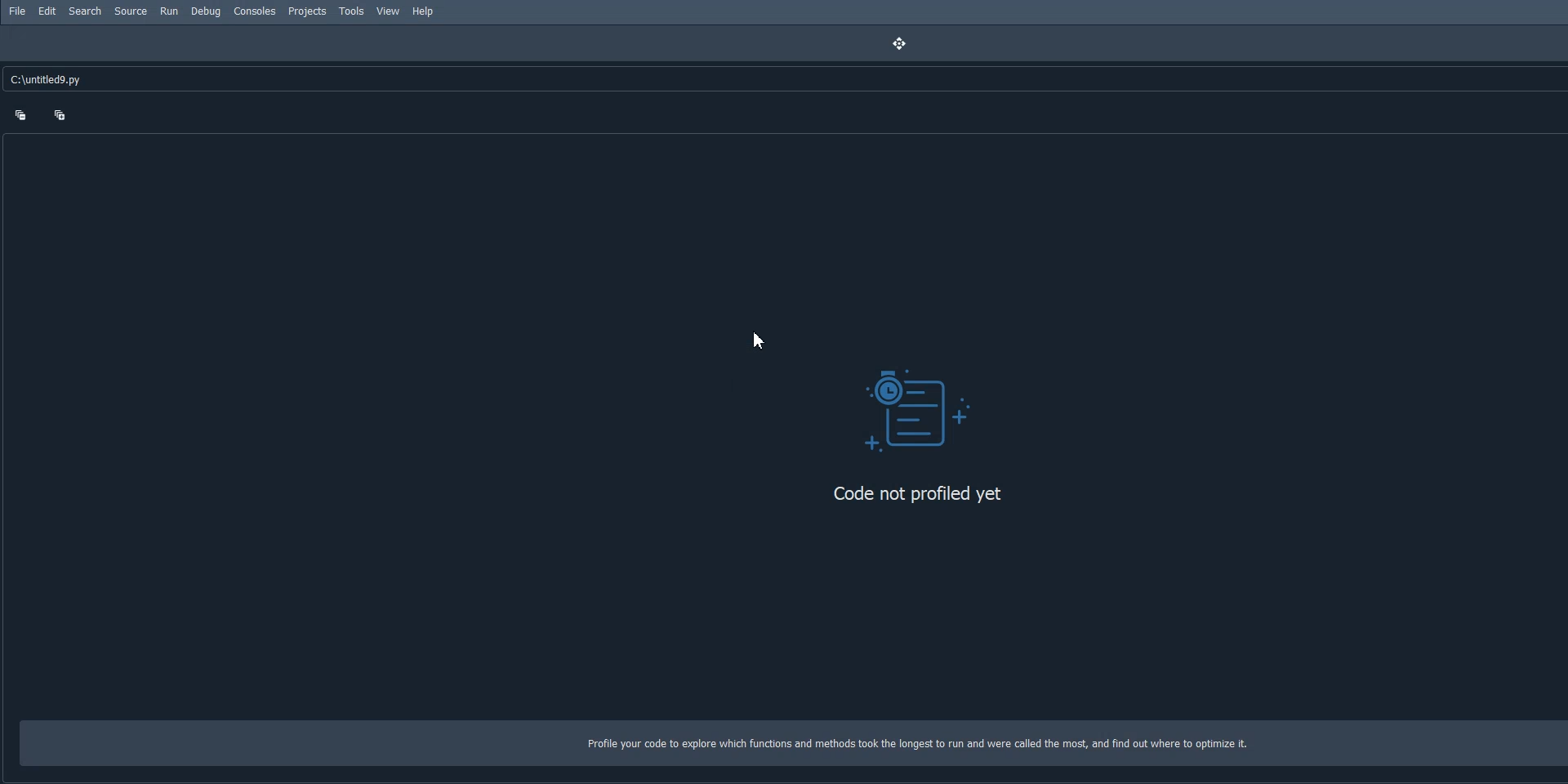 Image resolution: width=1568 pixels, height=784 pixels. What do you see at coordinates (163, 79) in the screenshot?
I see `C:\untitleds. py` at bounding box center [163, 79].